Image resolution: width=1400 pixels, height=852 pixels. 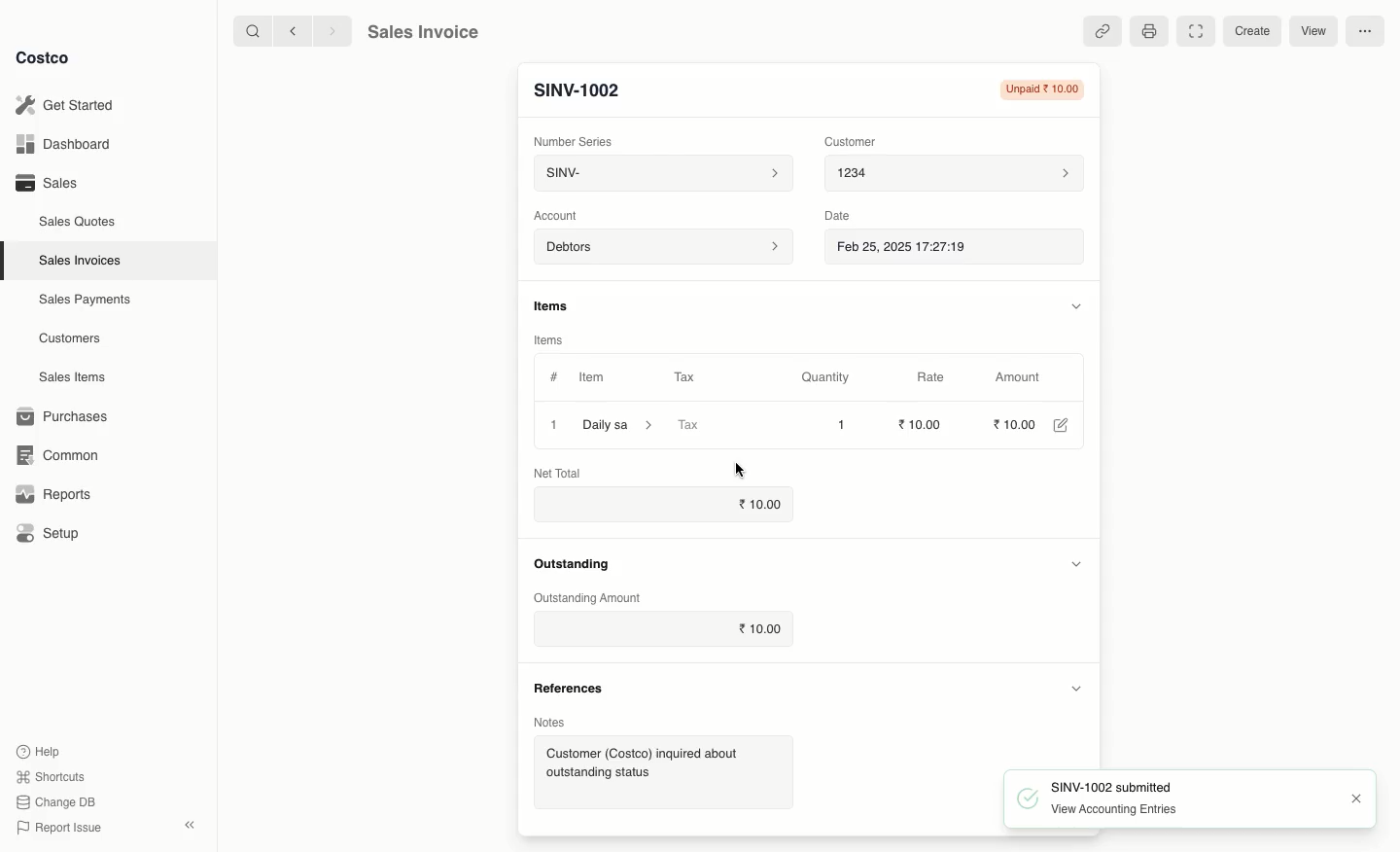 I want to click on More options, so click(x=1367, y=29).